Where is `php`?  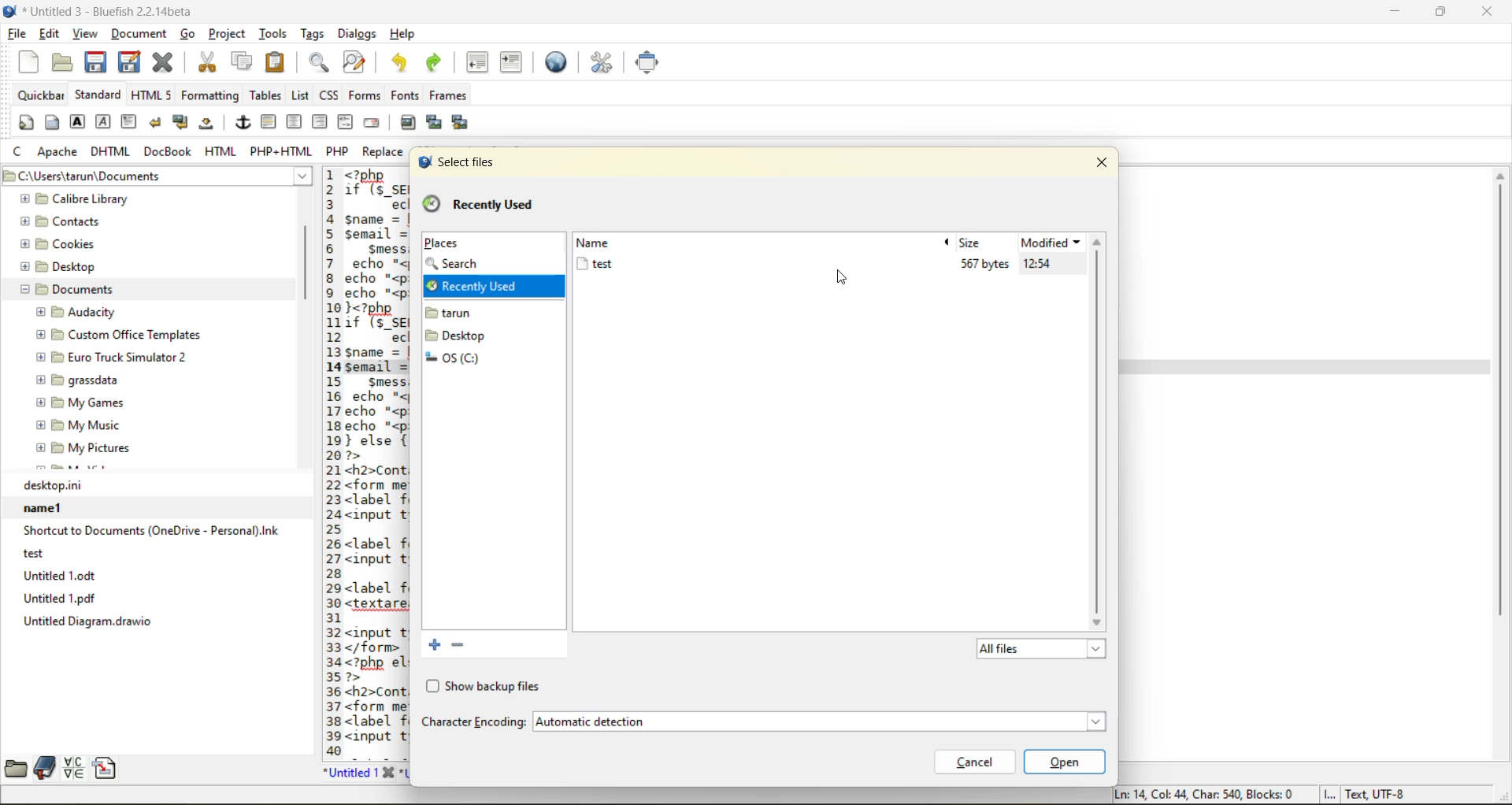 php is located at coordinates (340, 151).